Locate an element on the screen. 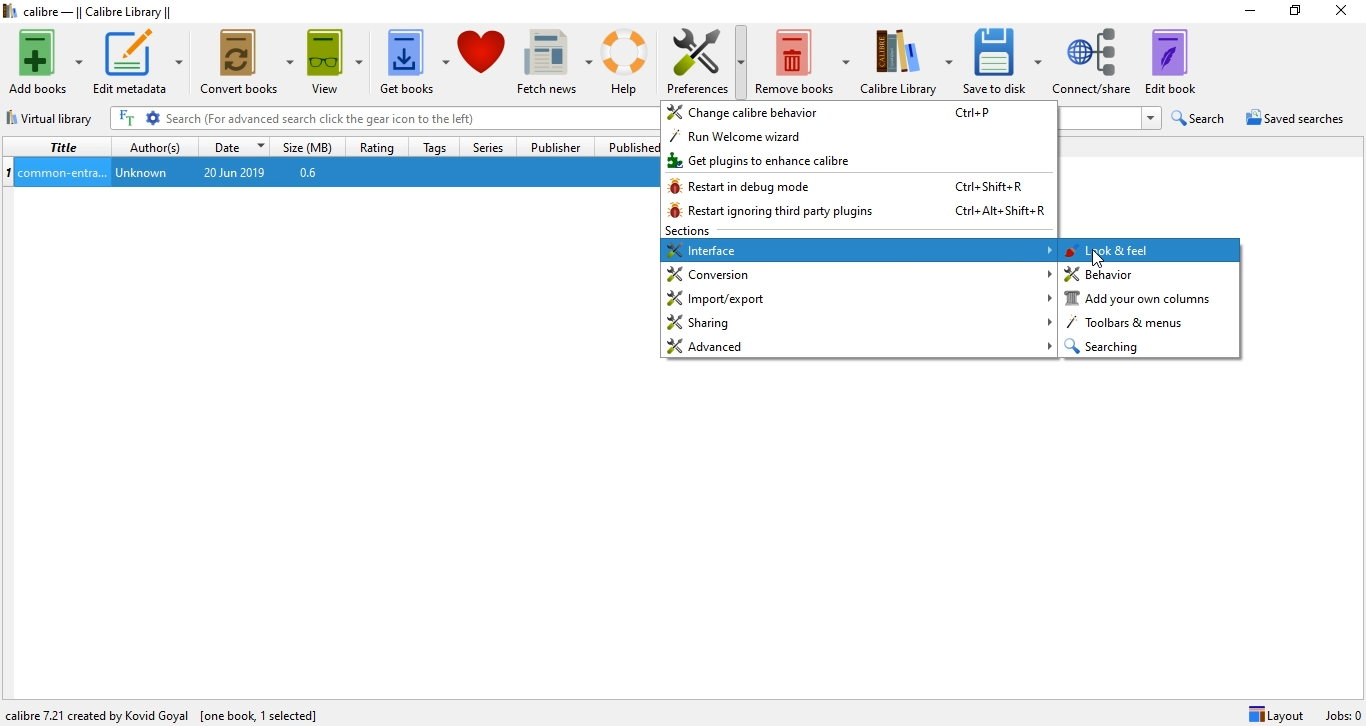 The image size is (1366, 726). look & feel highlighted is located at coordinates (1153, 251).